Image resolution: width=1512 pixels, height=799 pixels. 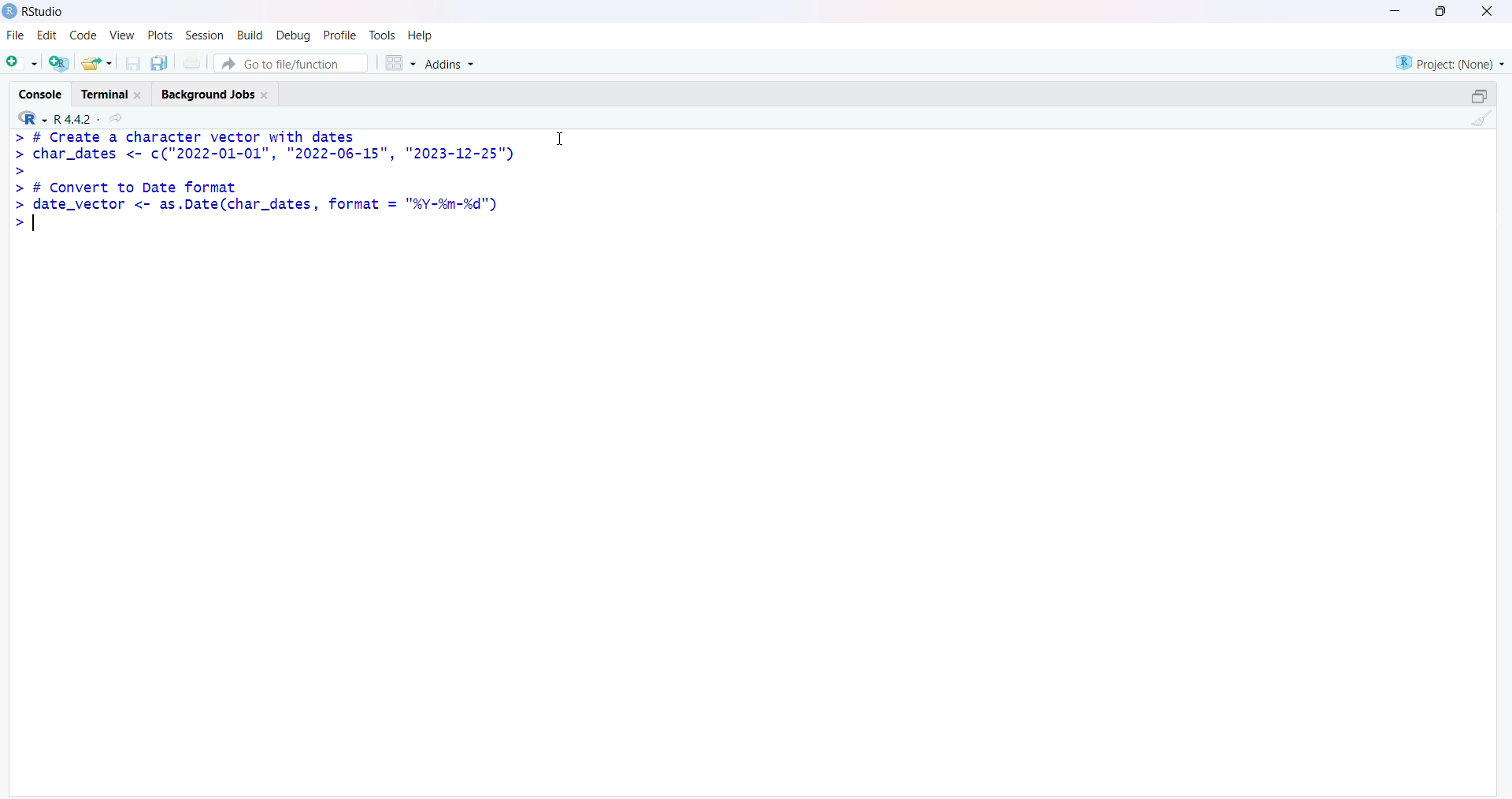 I want to click on Project (Note), so click(x=1447, y=61).